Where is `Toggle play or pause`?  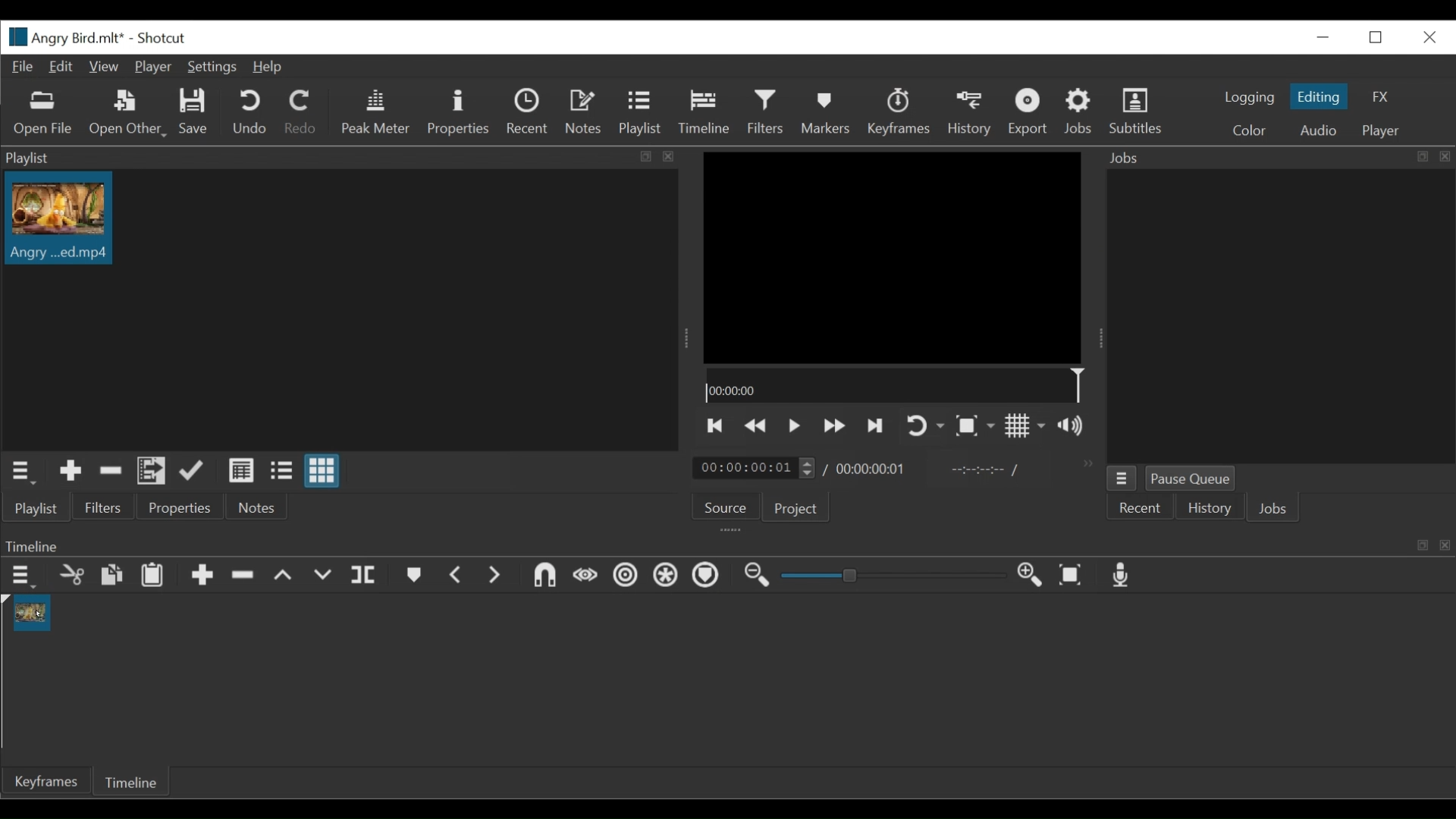 Toggle play or pause is located at coordinates (795, 425).